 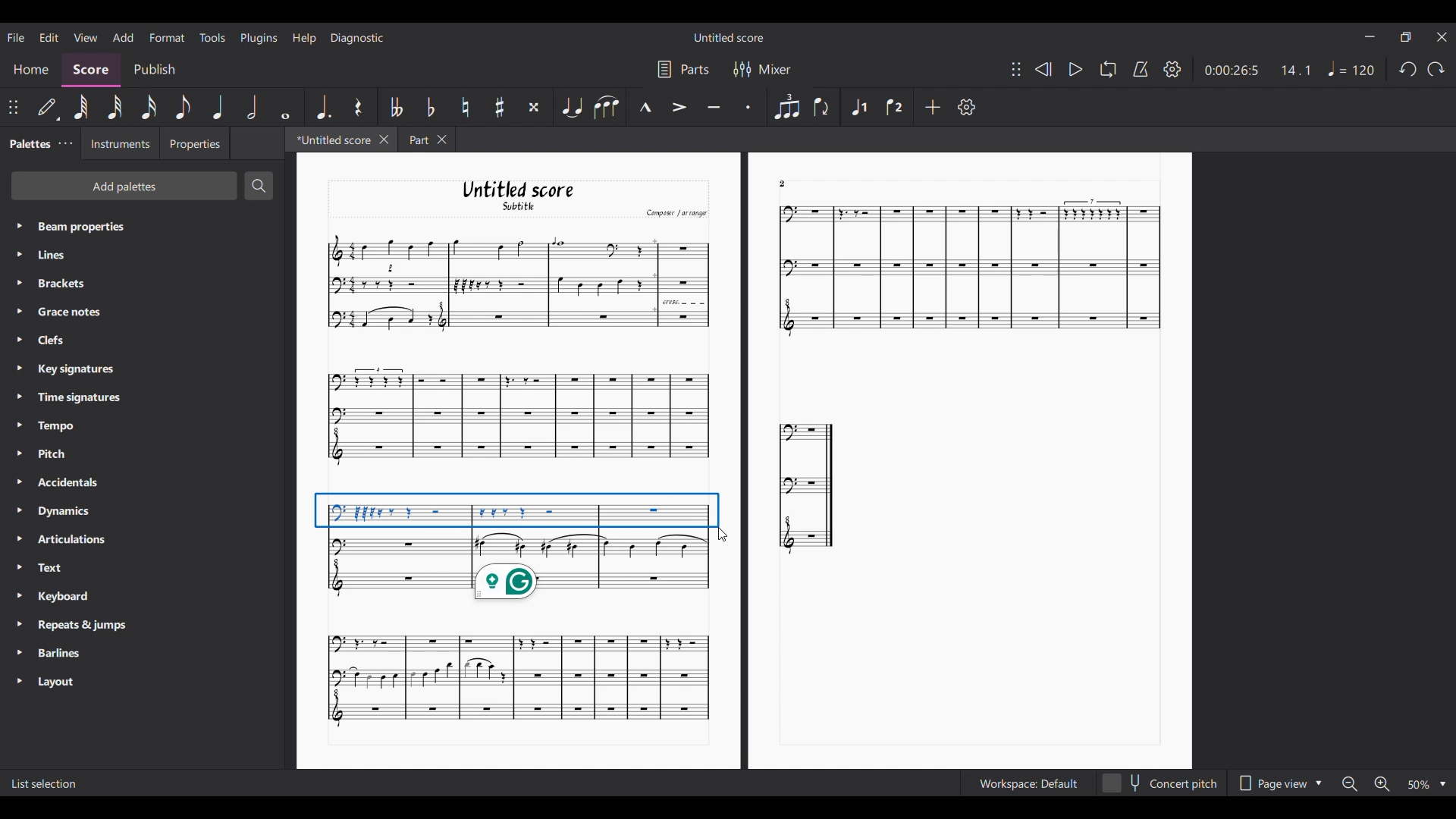 What do you see at coordinates (149, 107) in the screenshot?
I see `16th note` at bounding box center [149, 107].